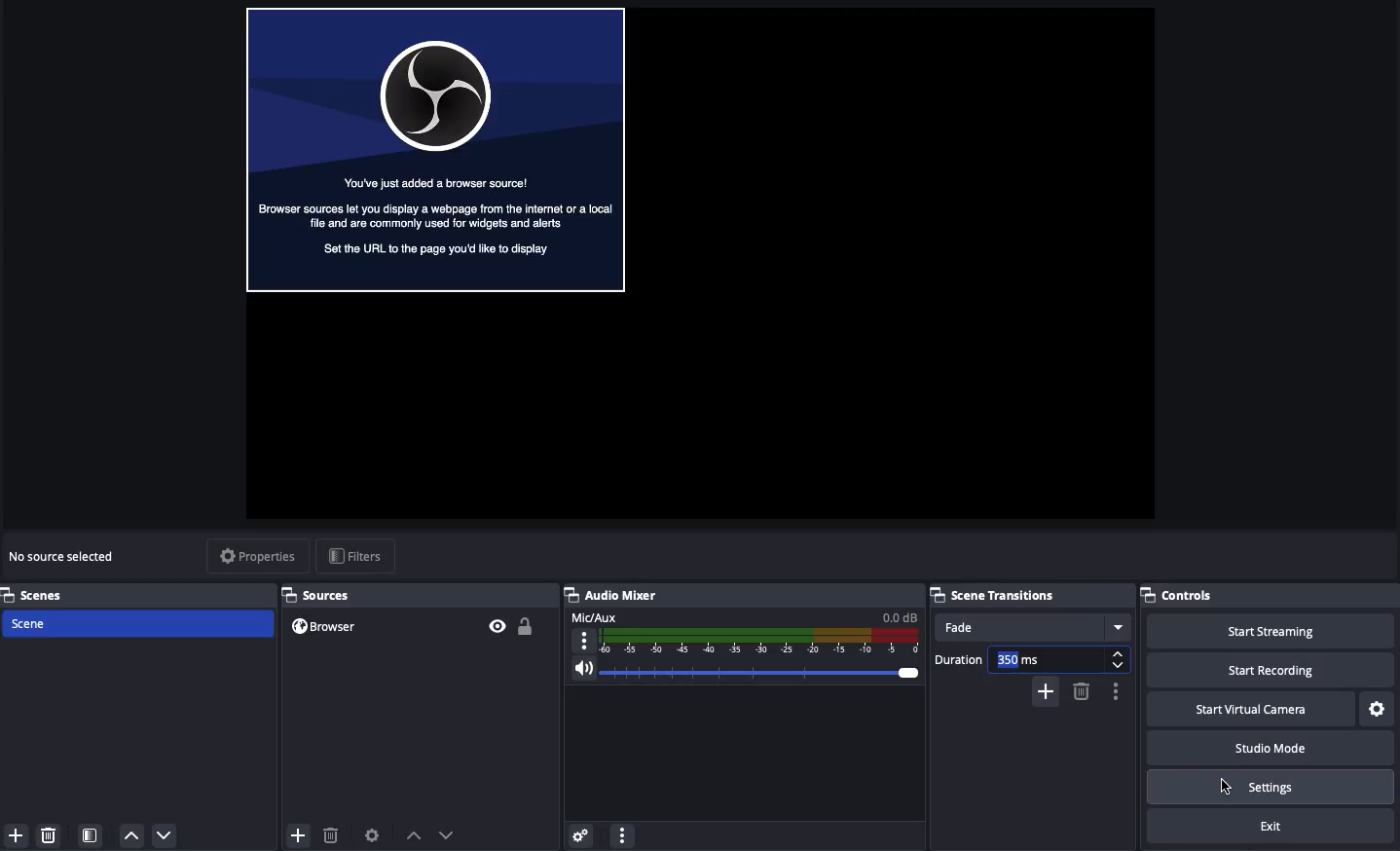 Image resolution: width=1400 pixels, height=851 pixels. Describe the element at coordinates (743, 634) in the screenshot. I see `Mic/aux` at that location.